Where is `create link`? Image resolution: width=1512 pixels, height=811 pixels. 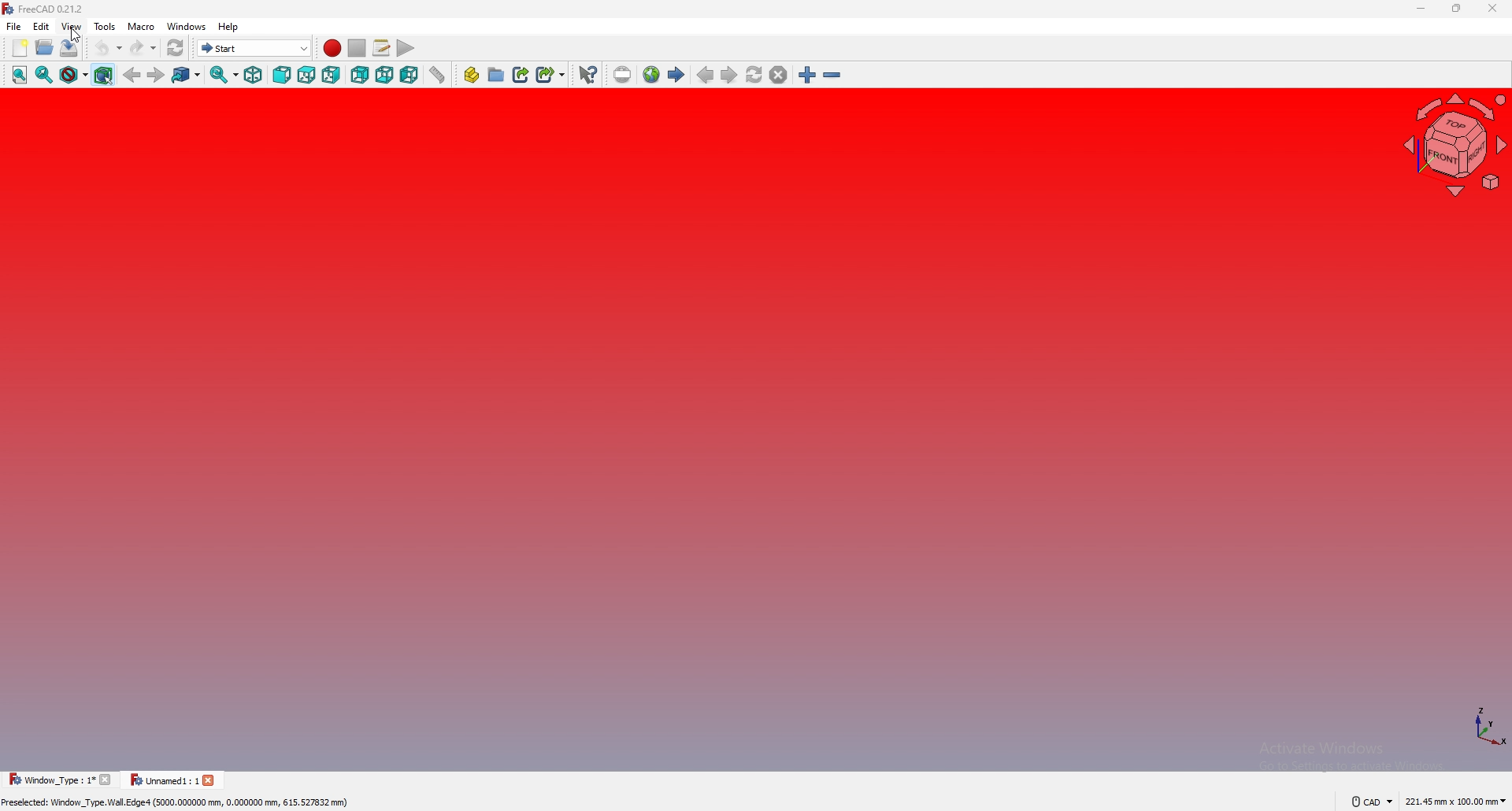
create link is located at coordinates (521, 74).